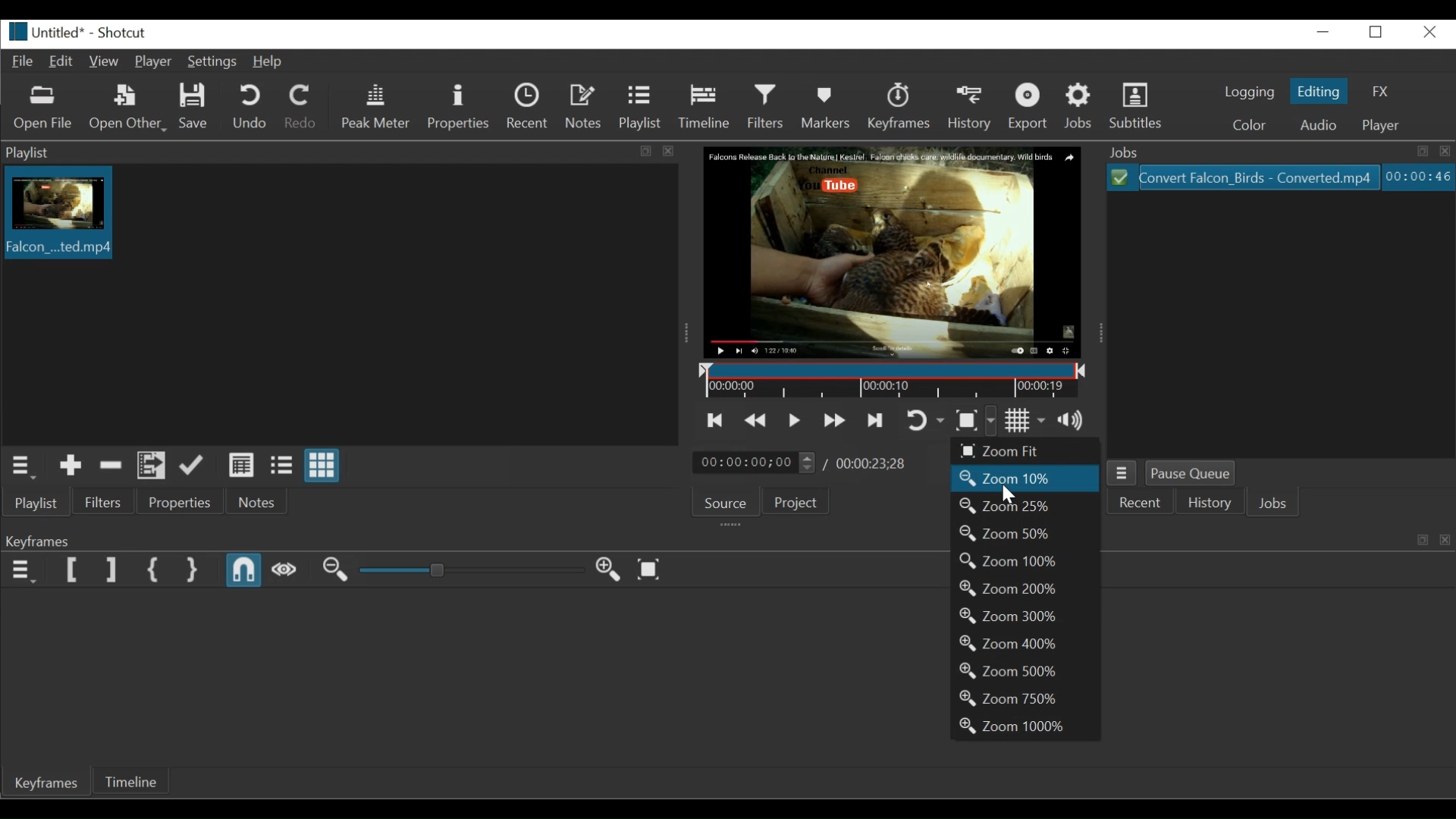 The height and width of the screenshot is (819, 1456). I want to click on Remove cut, so click(111, 466).